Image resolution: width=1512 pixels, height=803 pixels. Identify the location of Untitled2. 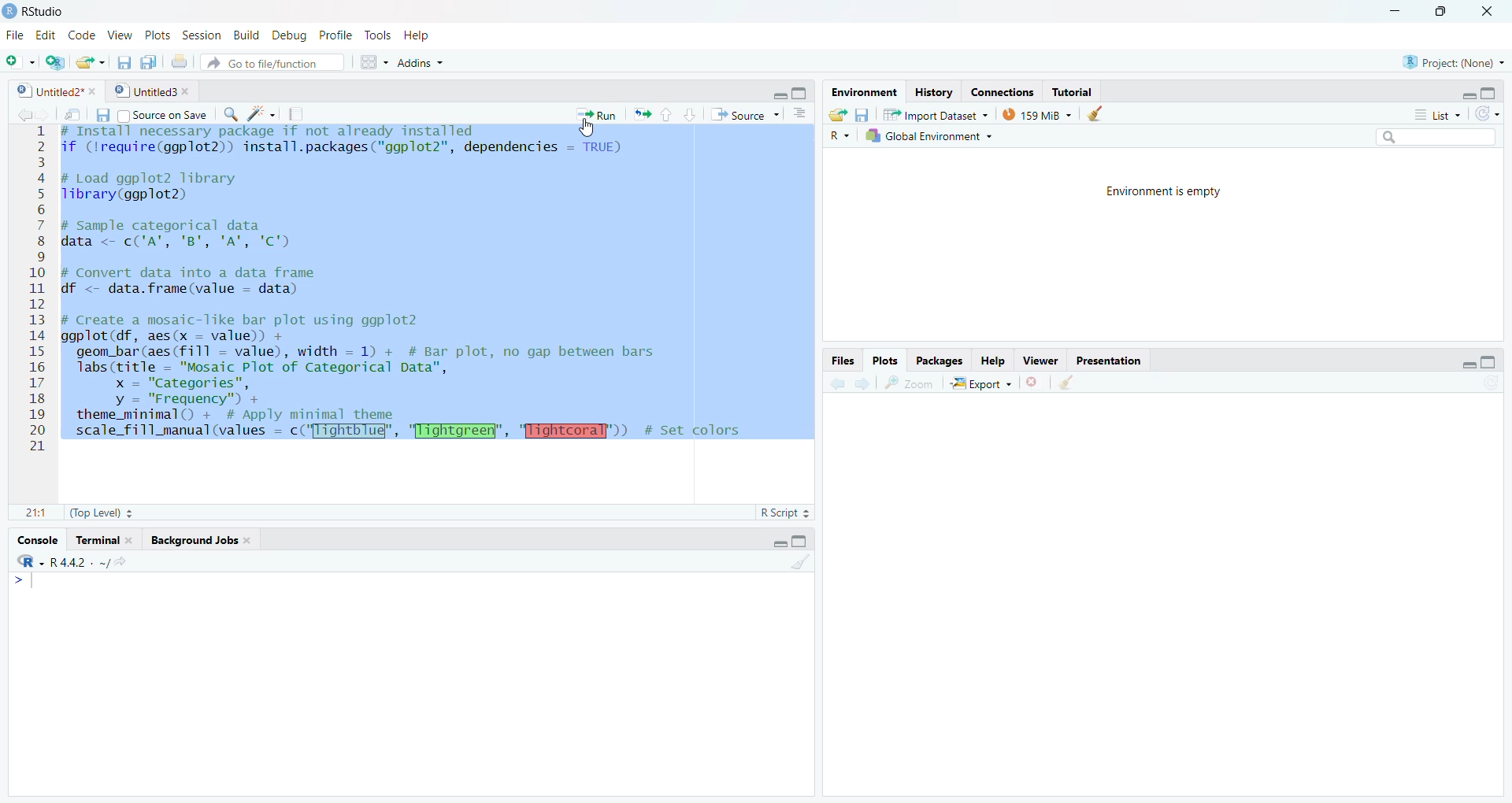
(57, 92).